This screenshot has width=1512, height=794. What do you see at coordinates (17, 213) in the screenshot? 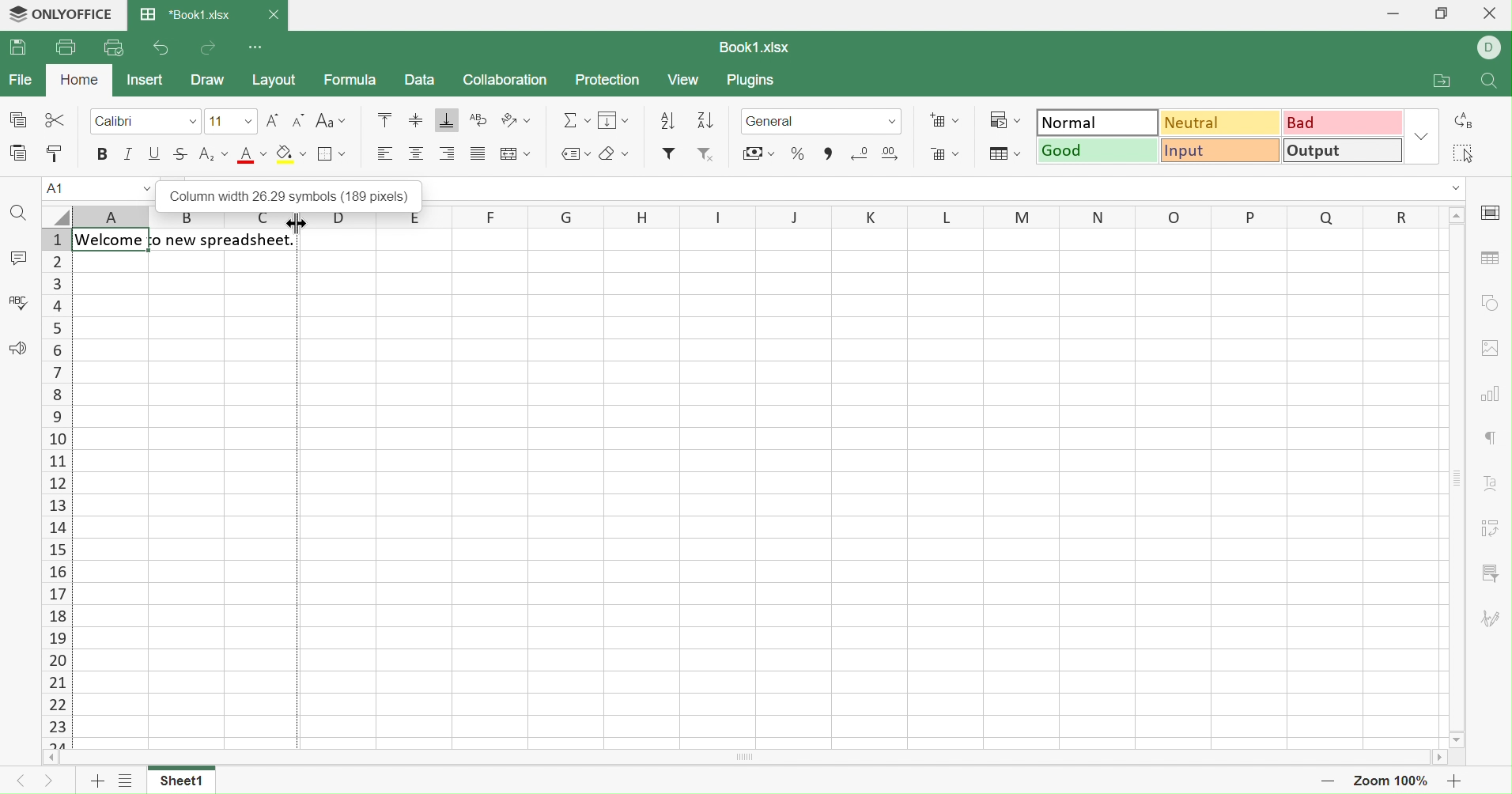
I see `Find` at bounding box center [17, 213].